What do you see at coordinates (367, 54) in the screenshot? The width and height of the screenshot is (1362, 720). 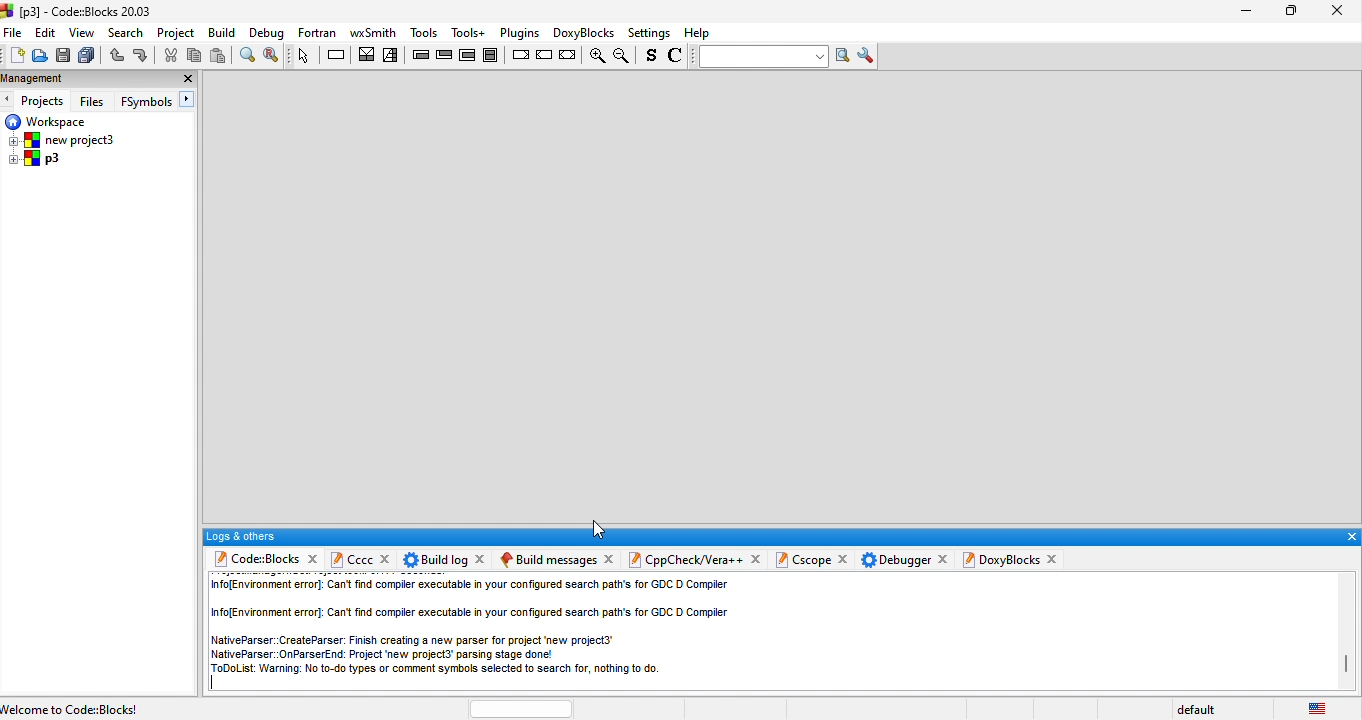 I see `decision` at bounding box center [367, 54].